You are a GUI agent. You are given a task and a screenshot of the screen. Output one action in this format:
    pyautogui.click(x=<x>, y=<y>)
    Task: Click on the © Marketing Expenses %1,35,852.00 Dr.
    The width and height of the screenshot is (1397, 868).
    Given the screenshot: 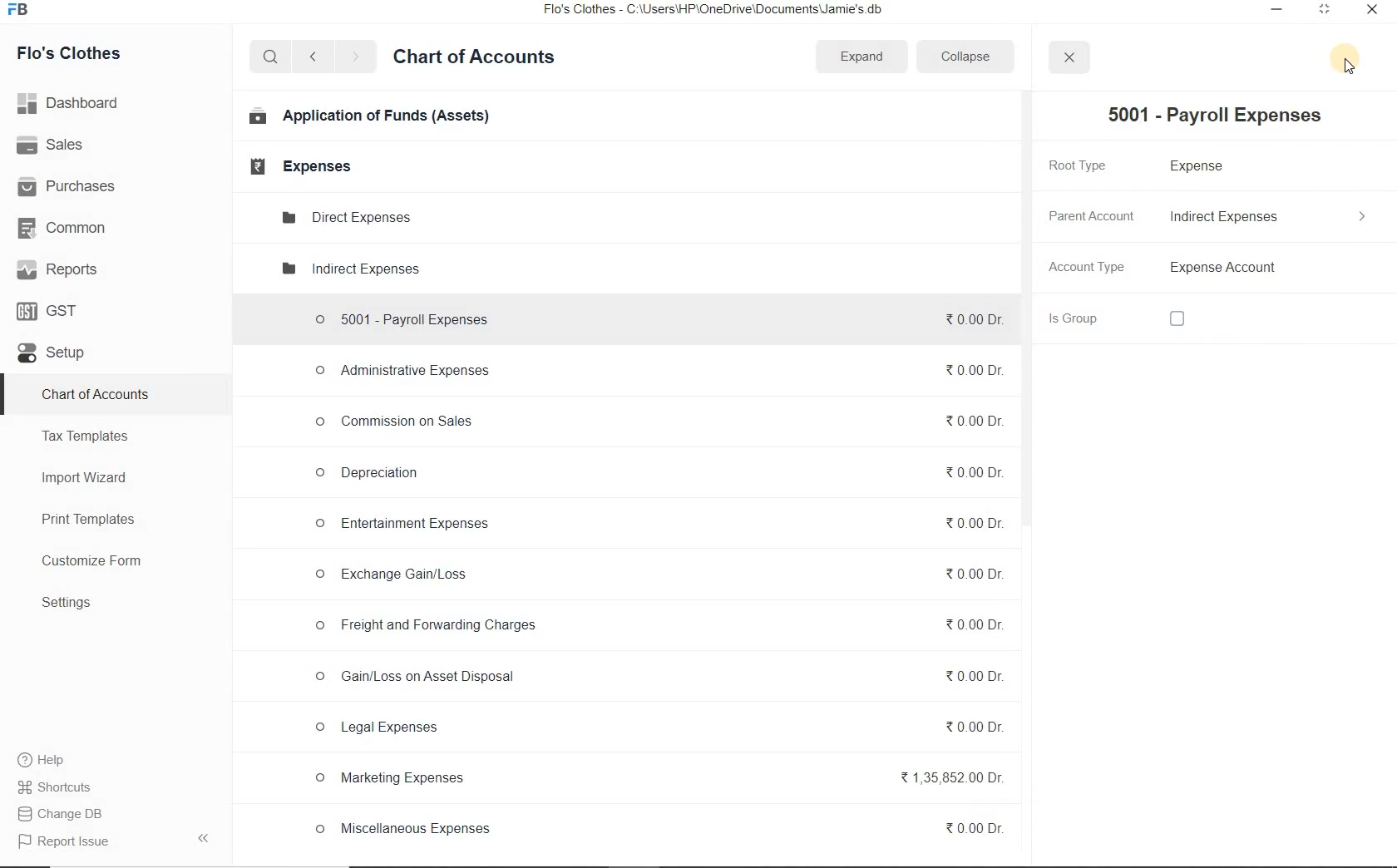 What is the action you would take?
    pyautogui.click(x=655, y=781)
    